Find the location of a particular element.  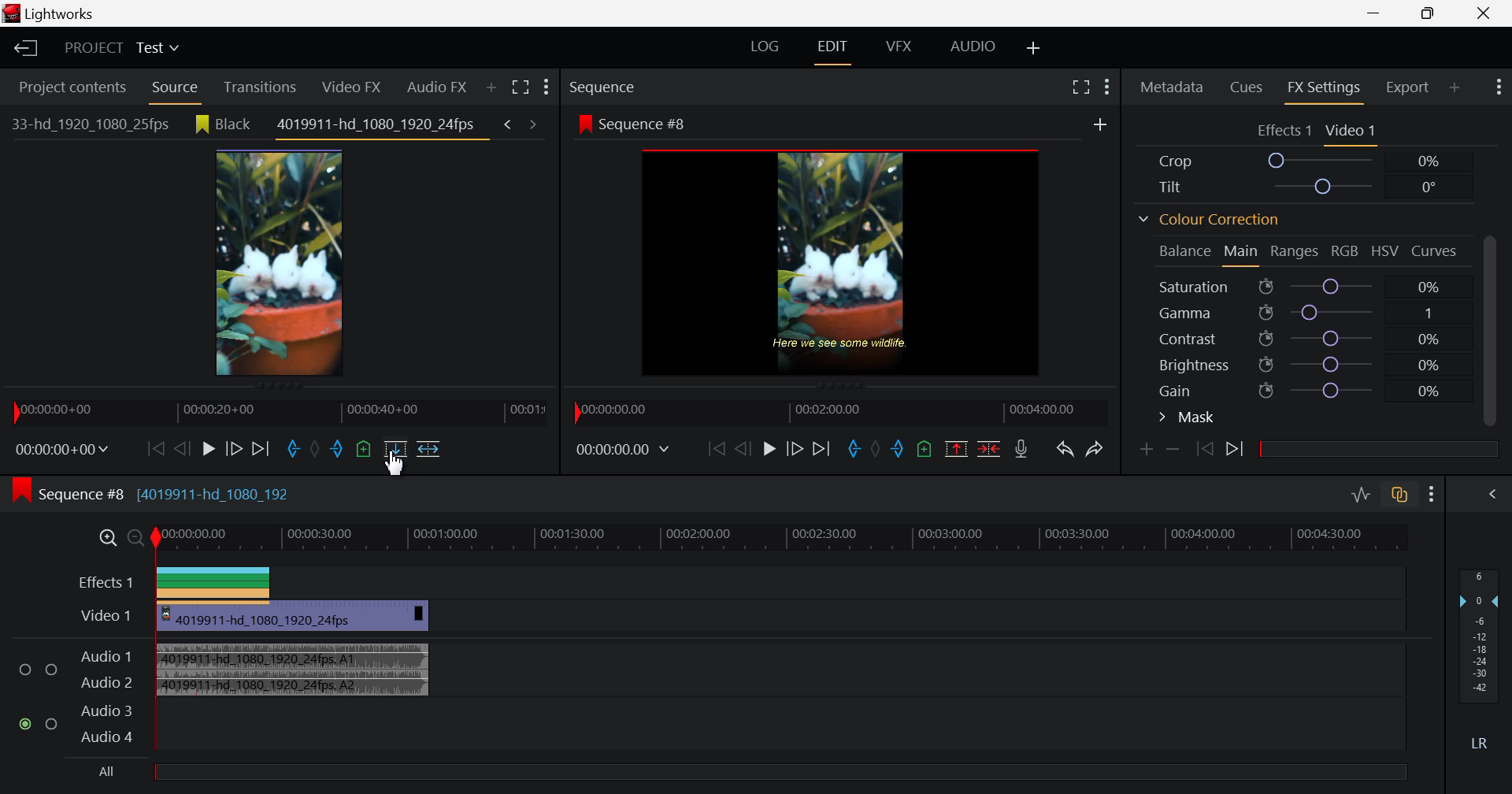

Clip Preview is located at coordinates (287, 265).